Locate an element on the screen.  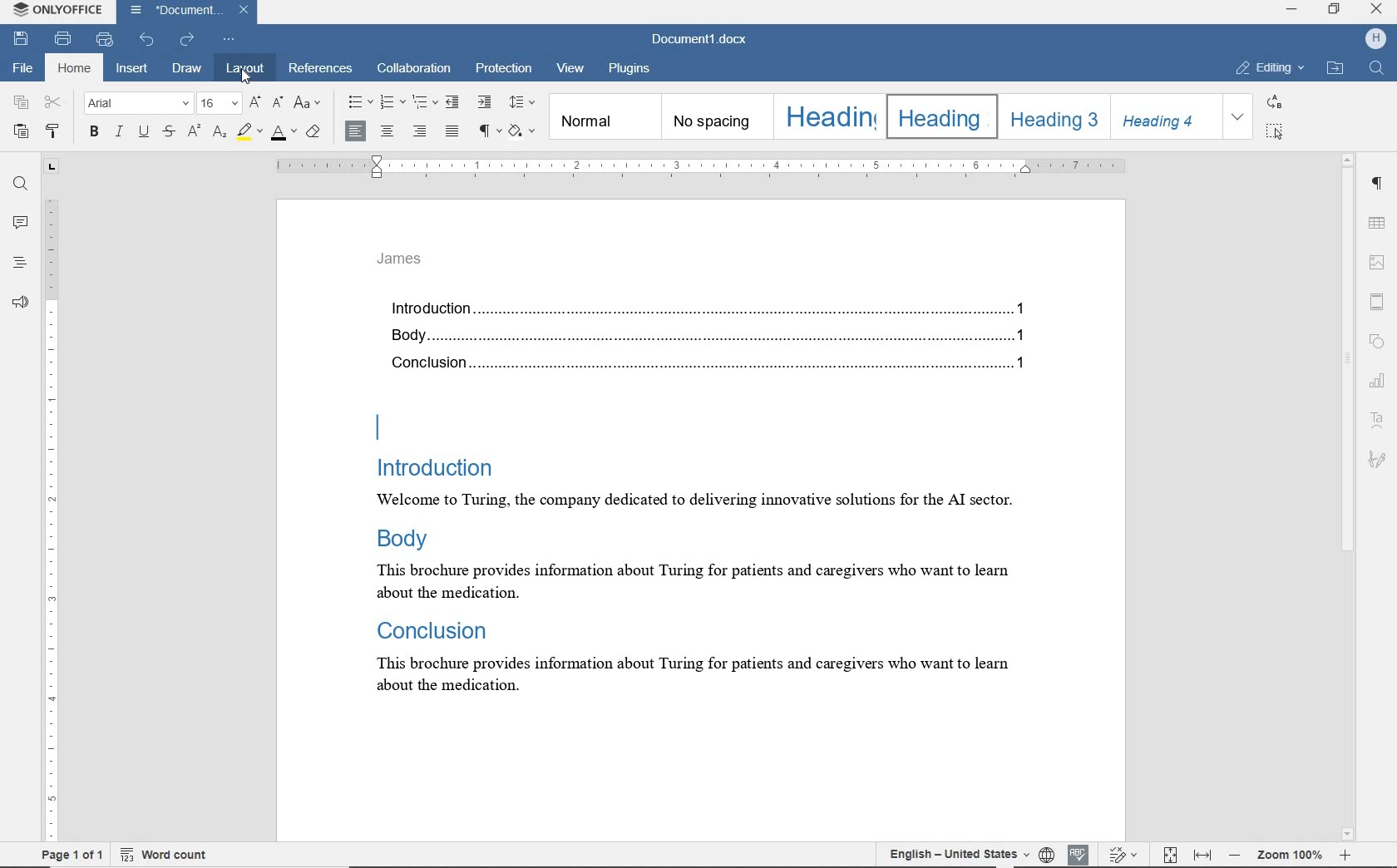
decrement font size is located at coordinates (278, 101).